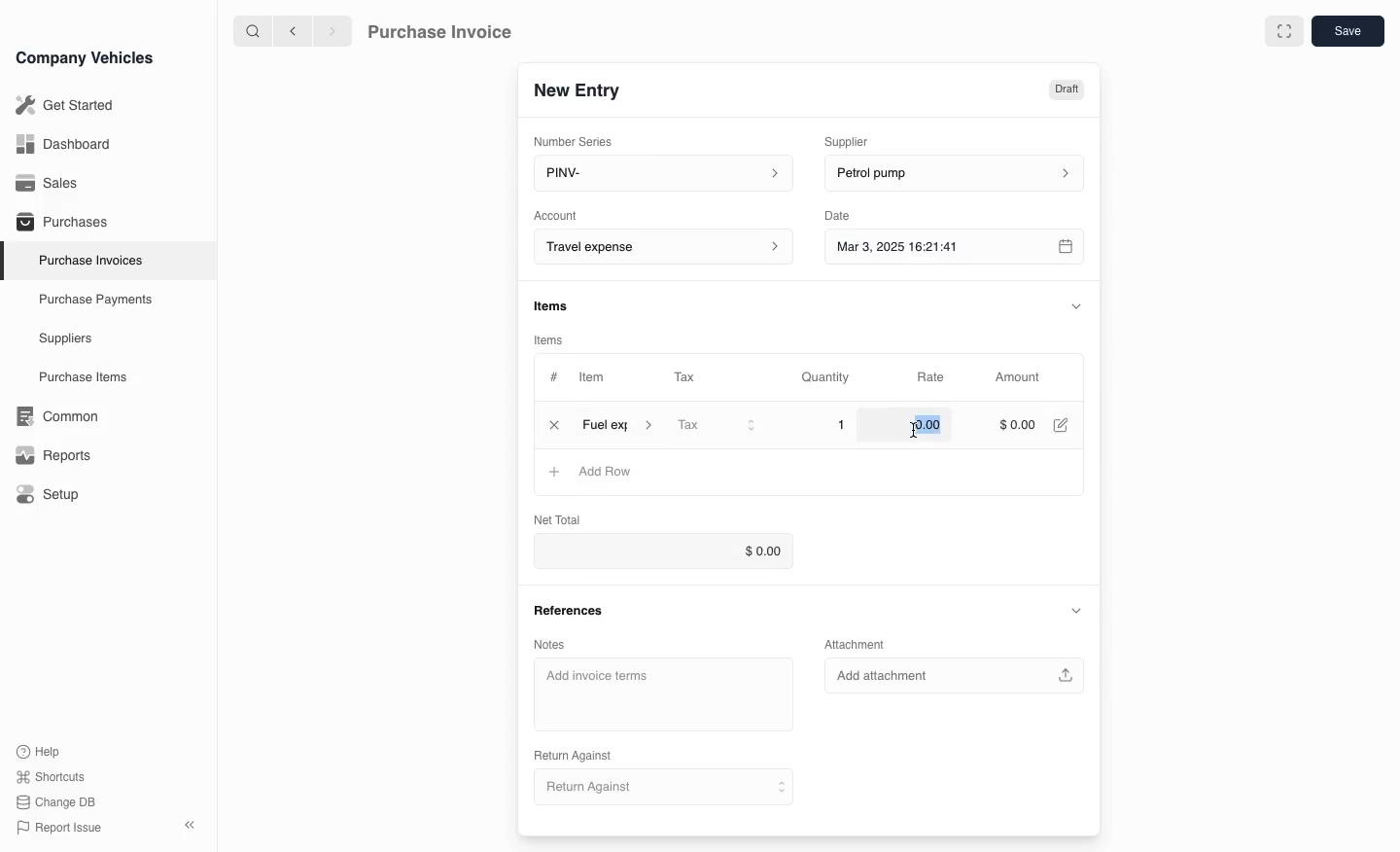 The height and width of the screenshot is (852, 1400). Describe the element at coordinates (62, 144) in the screenshot. I see `Dashboard` at that location.